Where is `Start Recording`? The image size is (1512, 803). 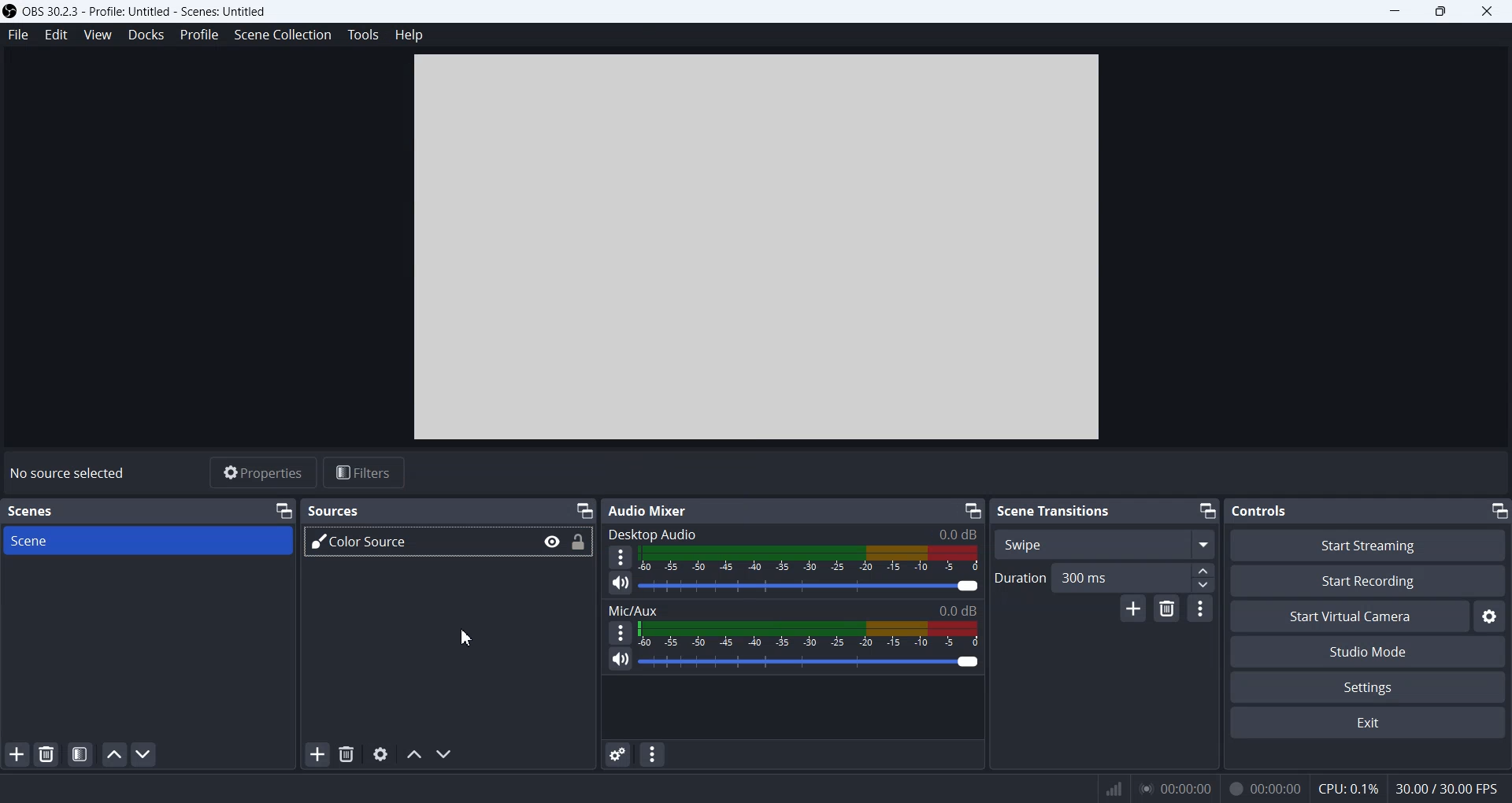 Start Recording is located at coordinates (1369, 580).